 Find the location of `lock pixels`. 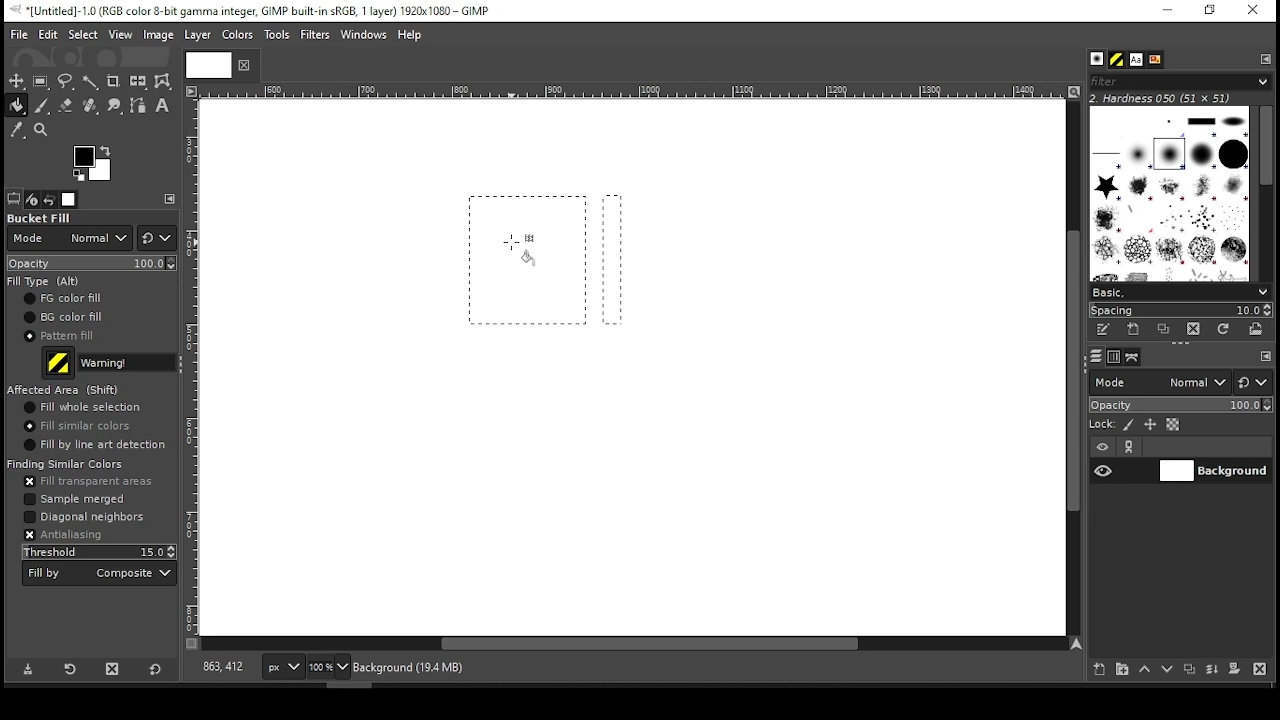

lock pixels is located at coordinates (1132, 425).